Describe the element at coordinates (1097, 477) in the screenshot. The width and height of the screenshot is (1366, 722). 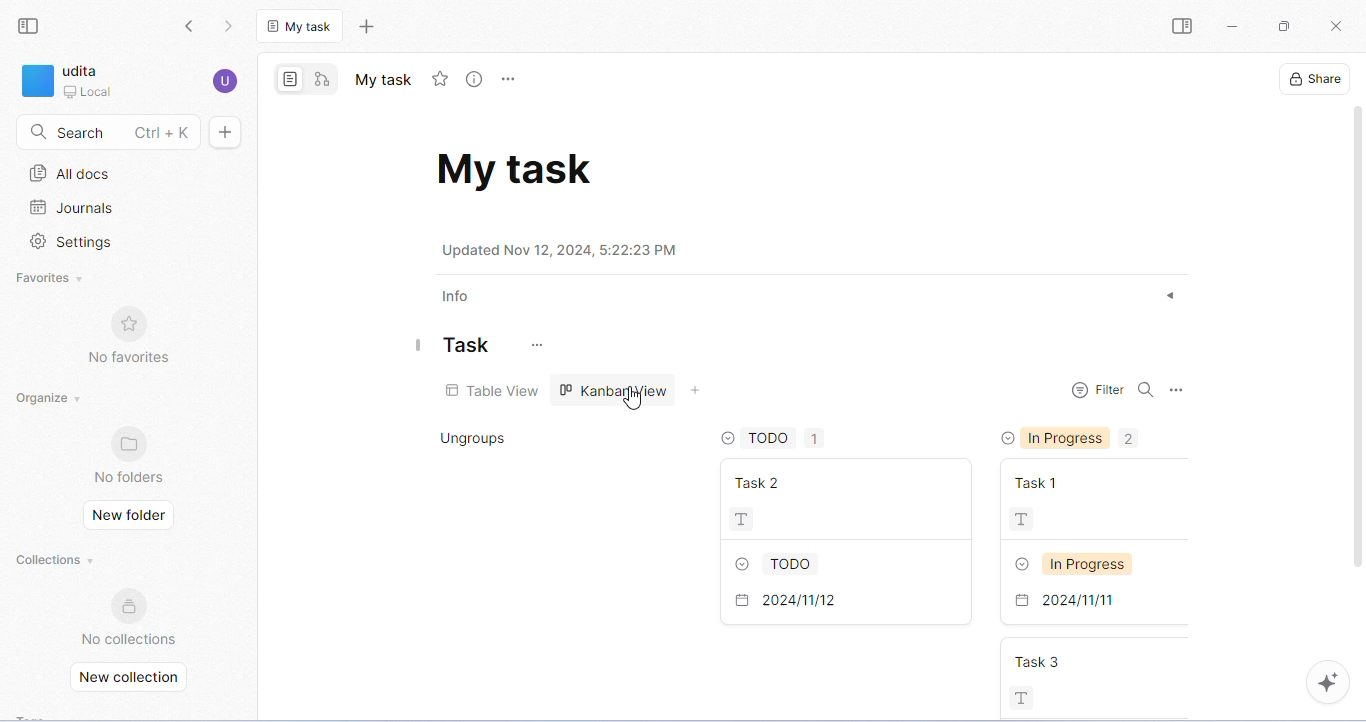
I see `task 1` at that location.